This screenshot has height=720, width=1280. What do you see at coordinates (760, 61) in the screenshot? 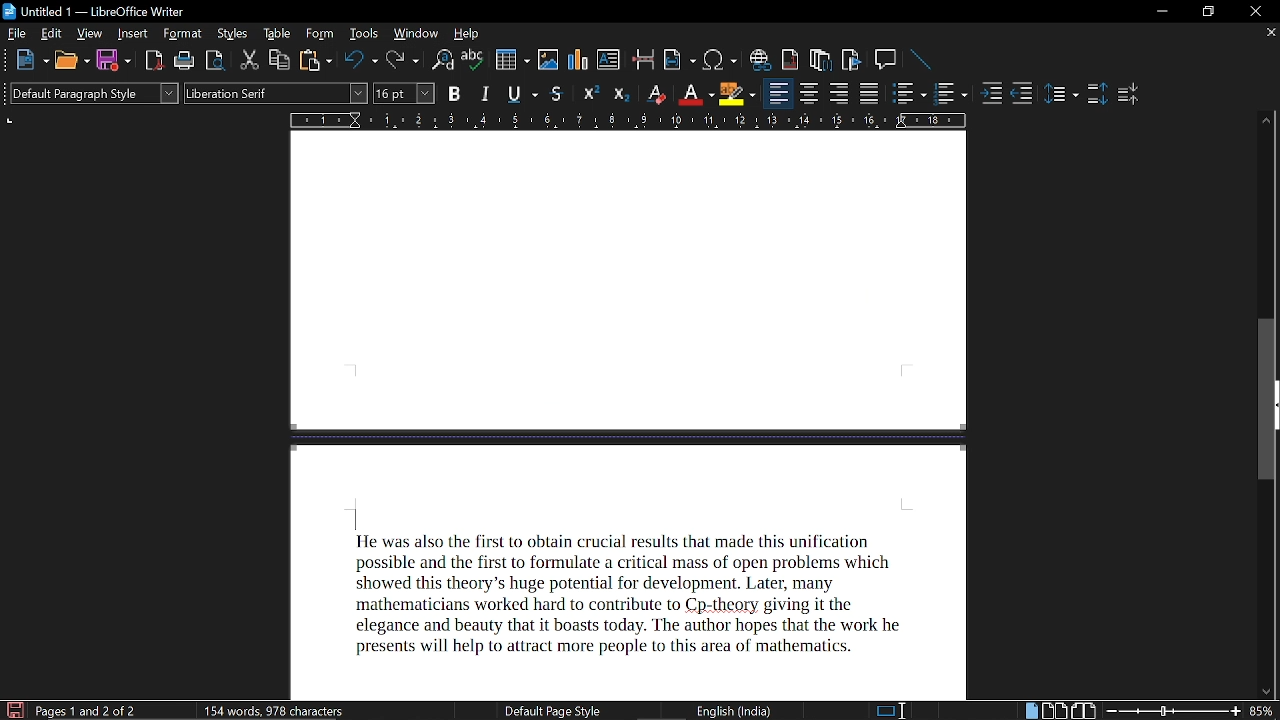
I see `insert hyperlink` at bounding box center [760, 61].